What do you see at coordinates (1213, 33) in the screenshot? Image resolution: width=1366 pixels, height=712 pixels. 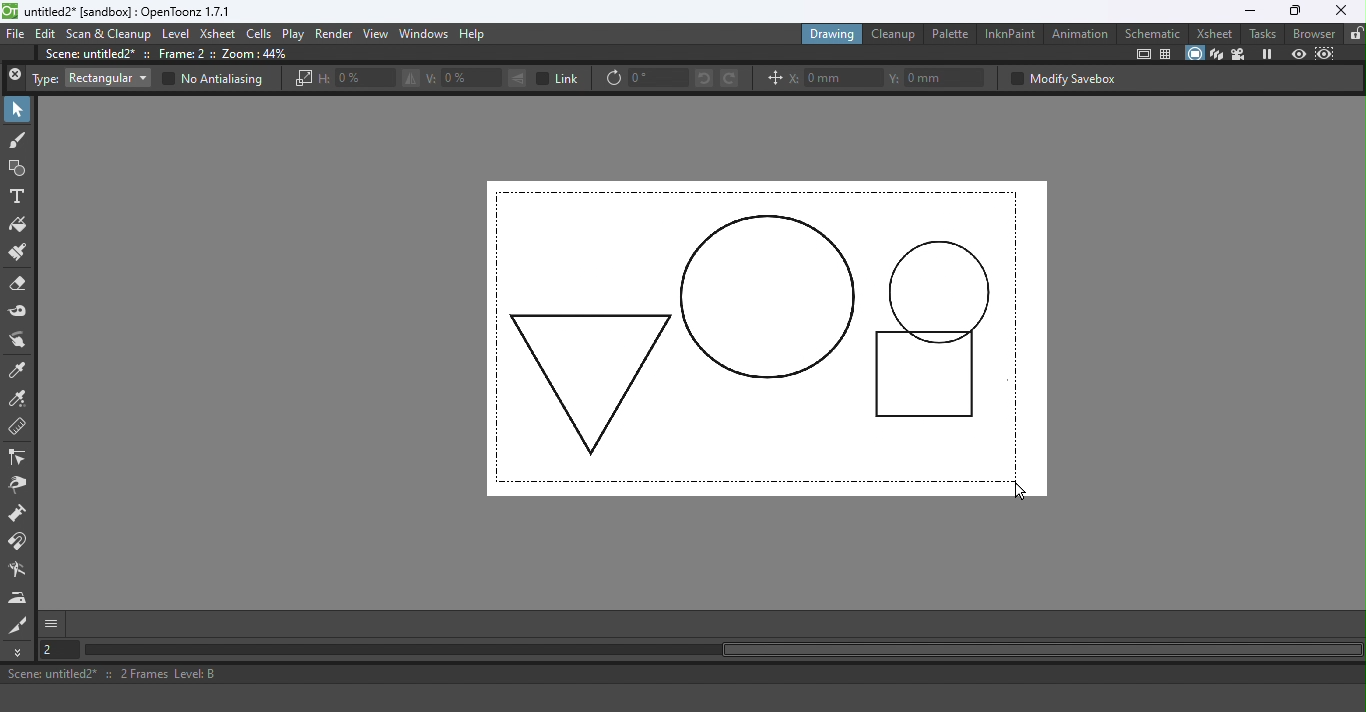 I see `Xsheet` at bounding box center [1213, 33].